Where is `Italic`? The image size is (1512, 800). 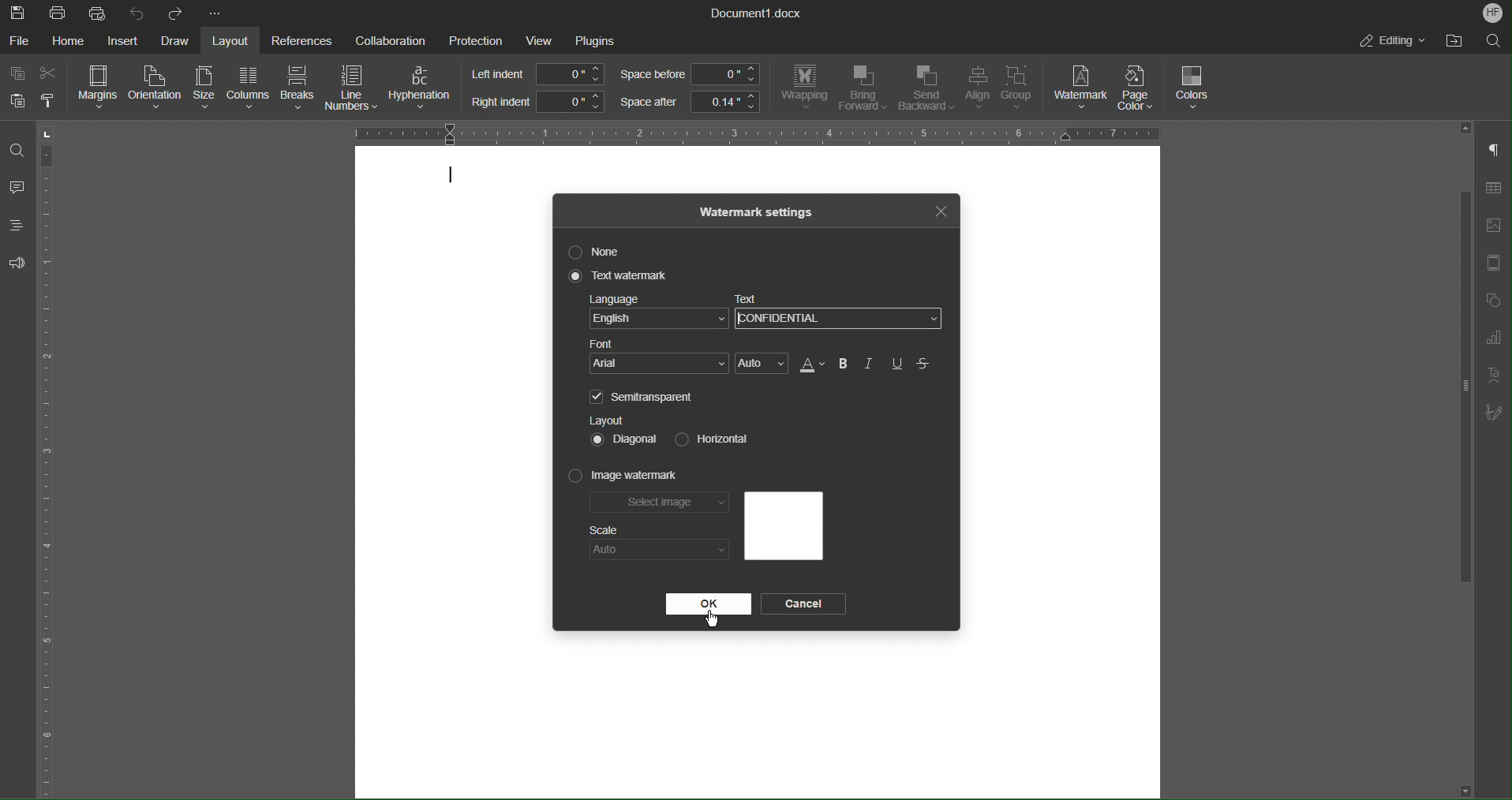
Italic is located at coordinates (870, 364).